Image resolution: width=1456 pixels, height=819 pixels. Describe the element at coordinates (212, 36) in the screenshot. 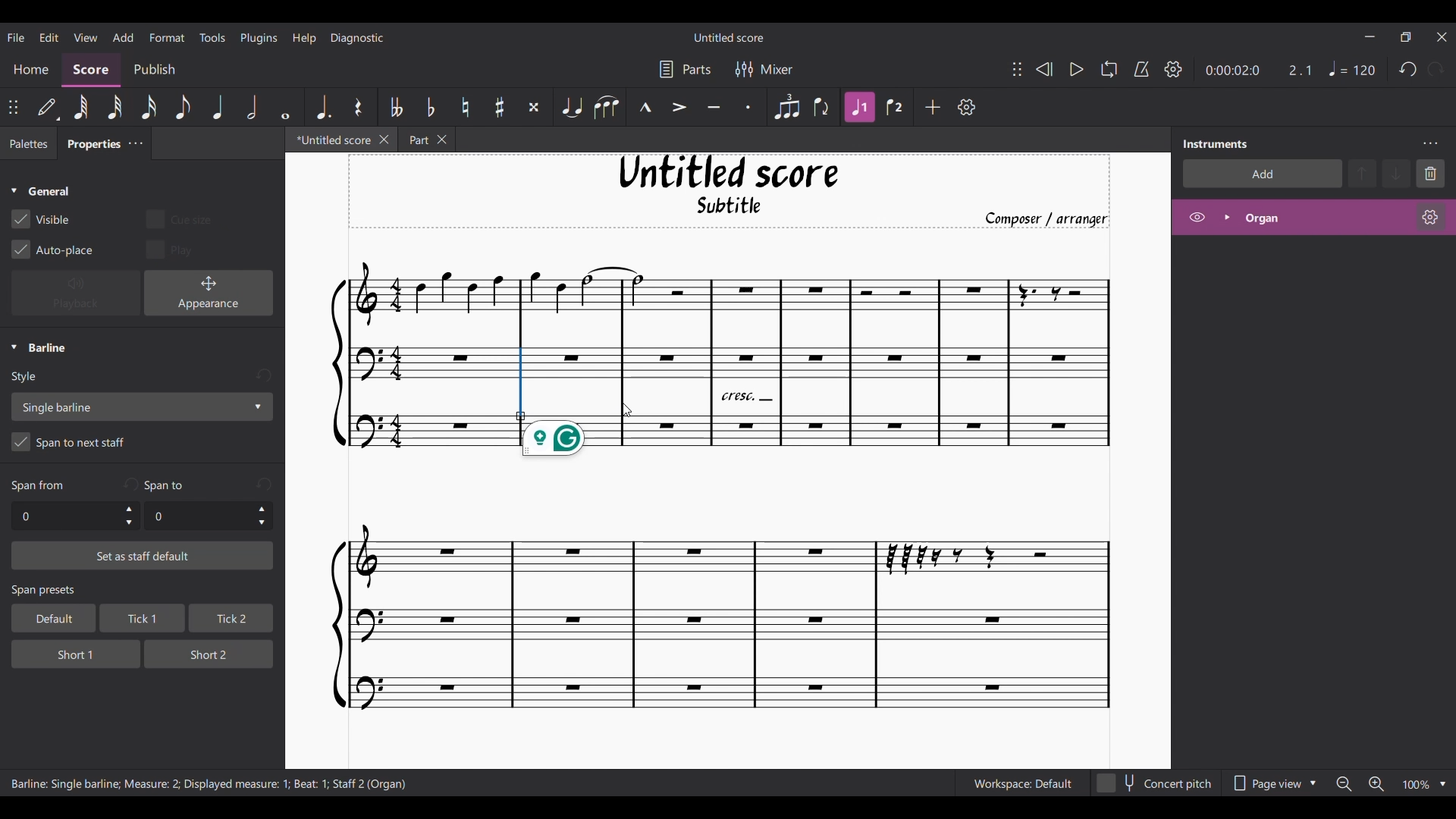

I see `Tools menu` at that location.